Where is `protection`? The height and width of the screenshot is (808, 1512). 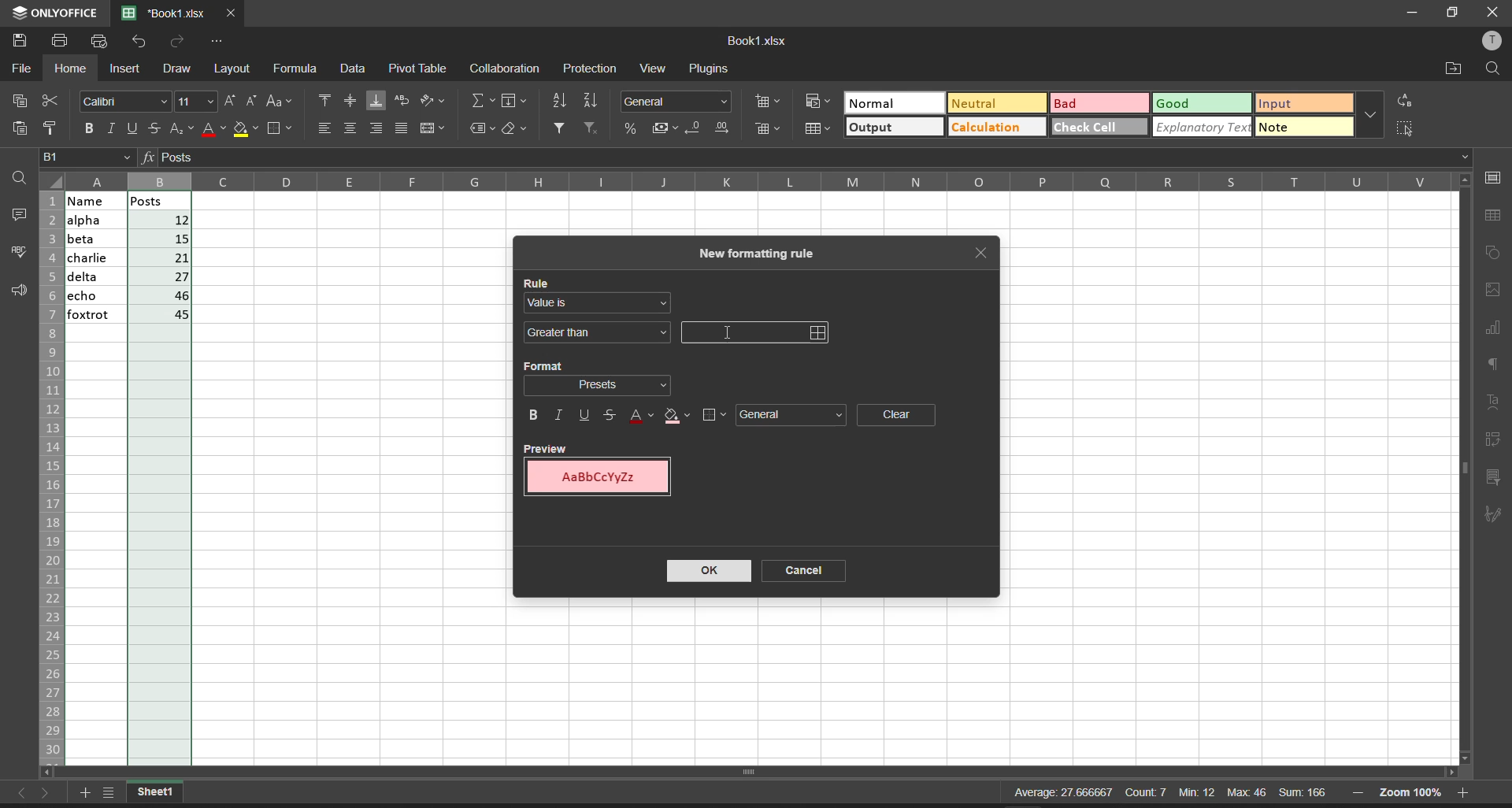
protection is located at coordinates (591, 68).